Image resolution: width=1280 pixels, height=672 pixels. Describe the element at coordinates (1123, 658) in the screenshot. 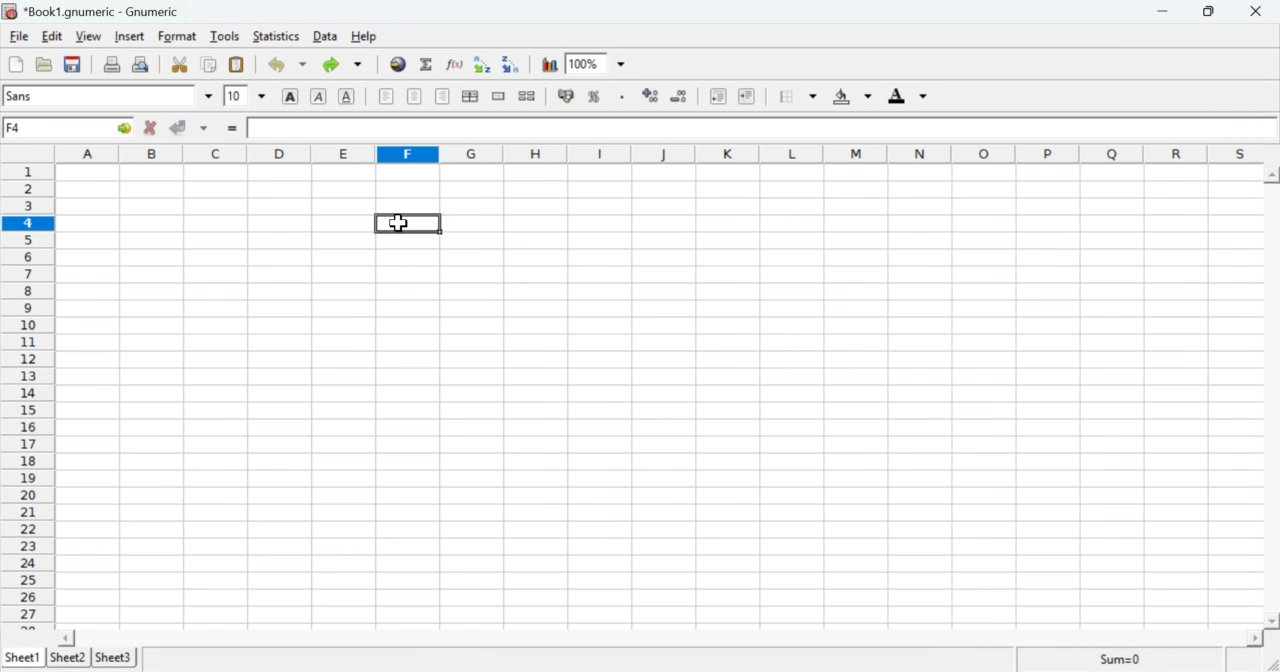

I see `Sum=0` at that location.